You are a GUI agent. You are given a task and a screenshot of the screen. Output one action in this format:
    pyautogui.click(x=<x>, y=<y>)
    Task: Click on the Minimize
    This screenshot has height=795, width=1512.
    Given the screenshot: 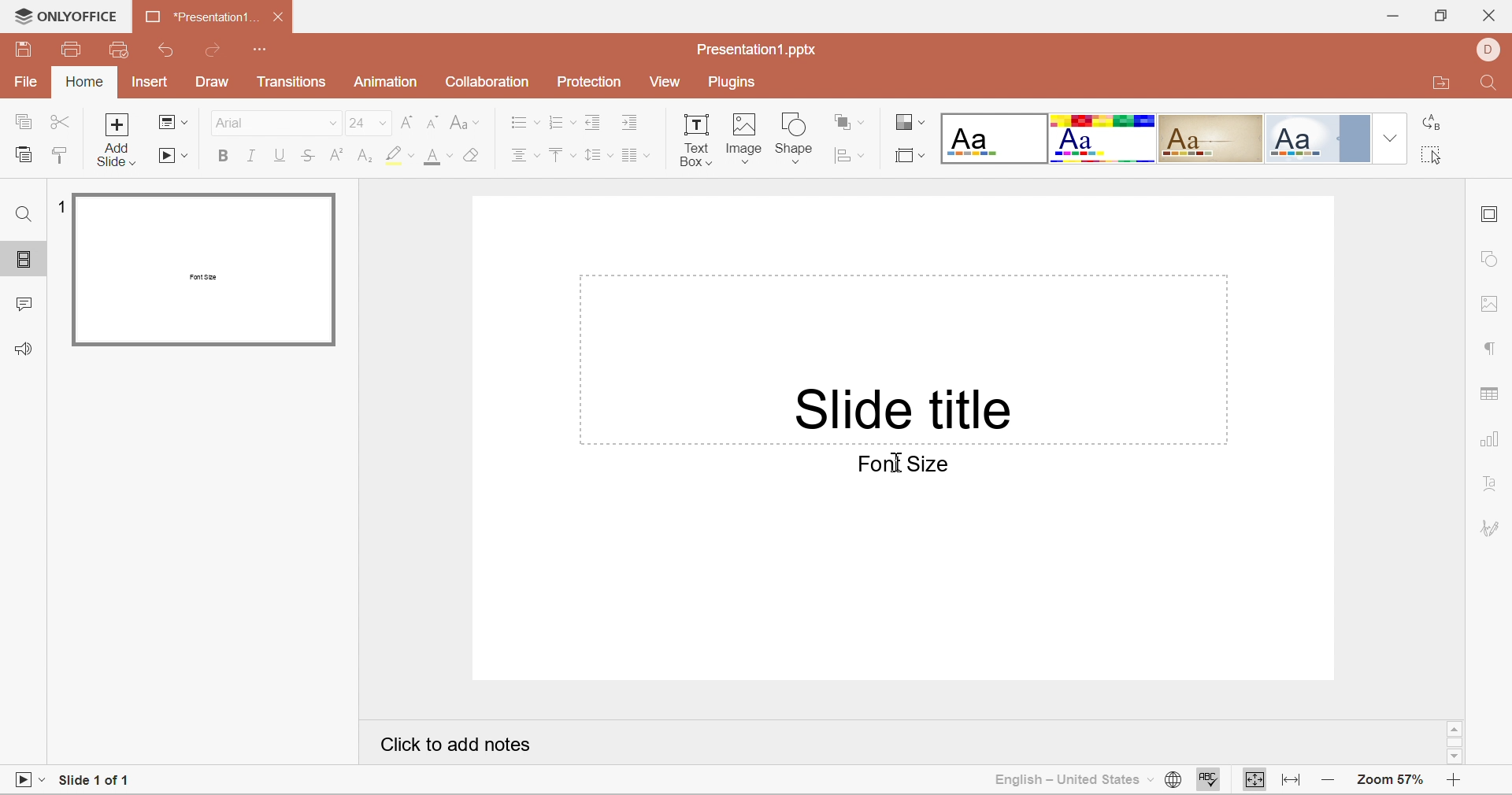 What is the action you would take?
    pyautogui.click(x=1392, y=15)
    